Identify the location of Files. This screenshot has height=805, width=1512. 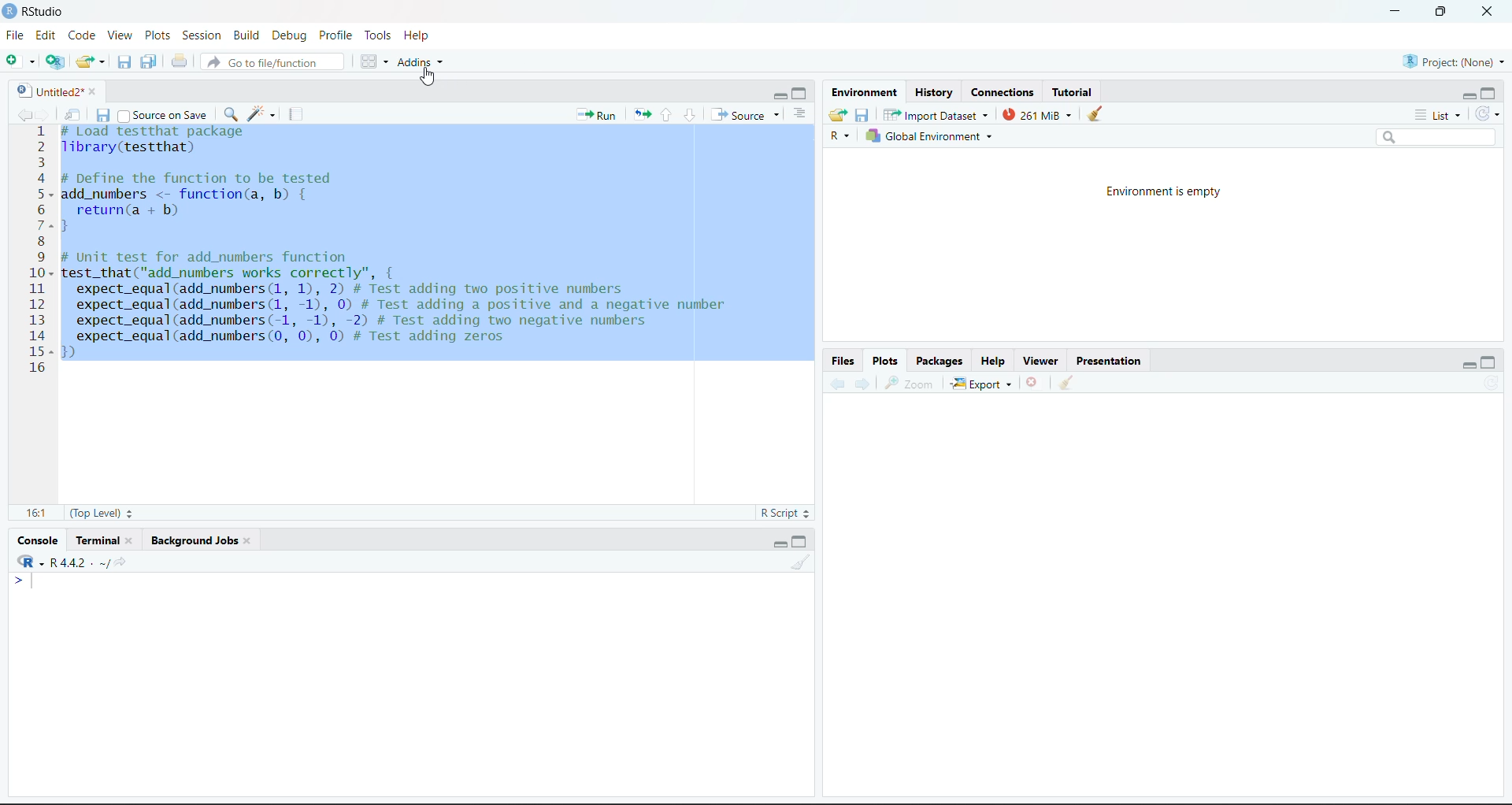
(843, 361).